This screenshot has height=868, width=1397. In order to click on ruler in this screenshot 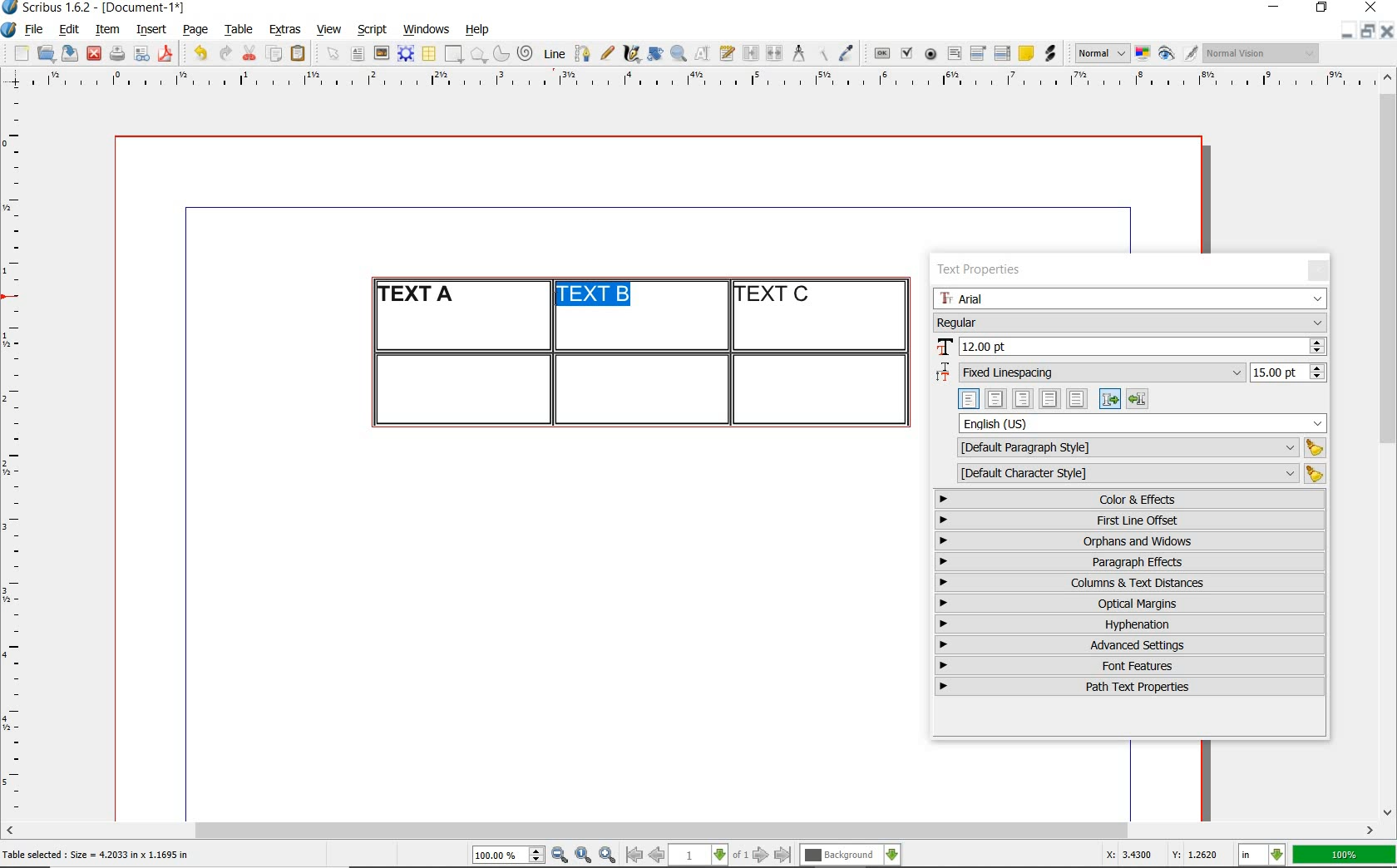, I will do `click(18, 454)`.